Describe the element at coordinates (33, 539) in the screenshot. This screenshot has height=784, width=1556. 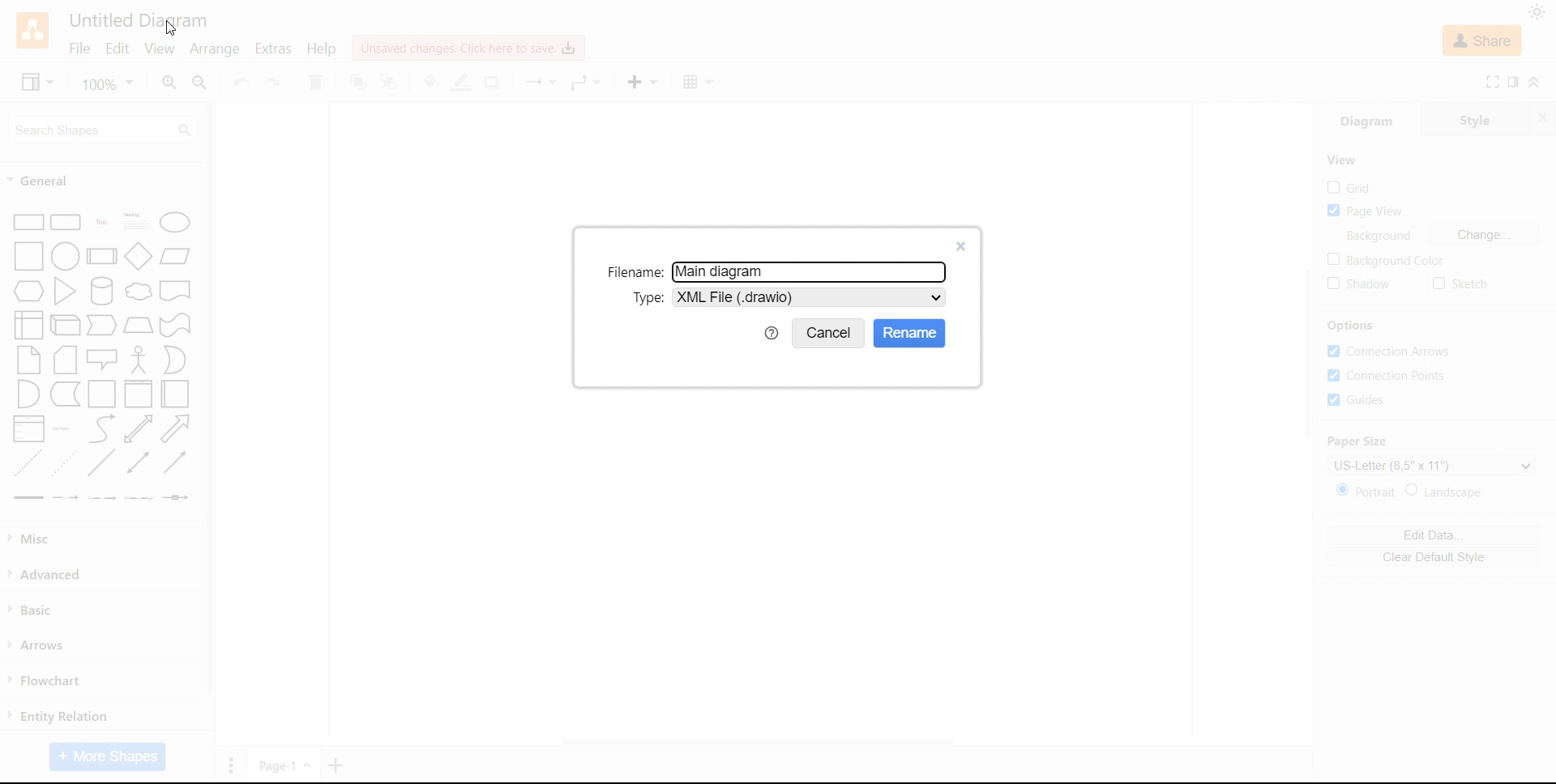
I see `Miscellaneous ` at that location.